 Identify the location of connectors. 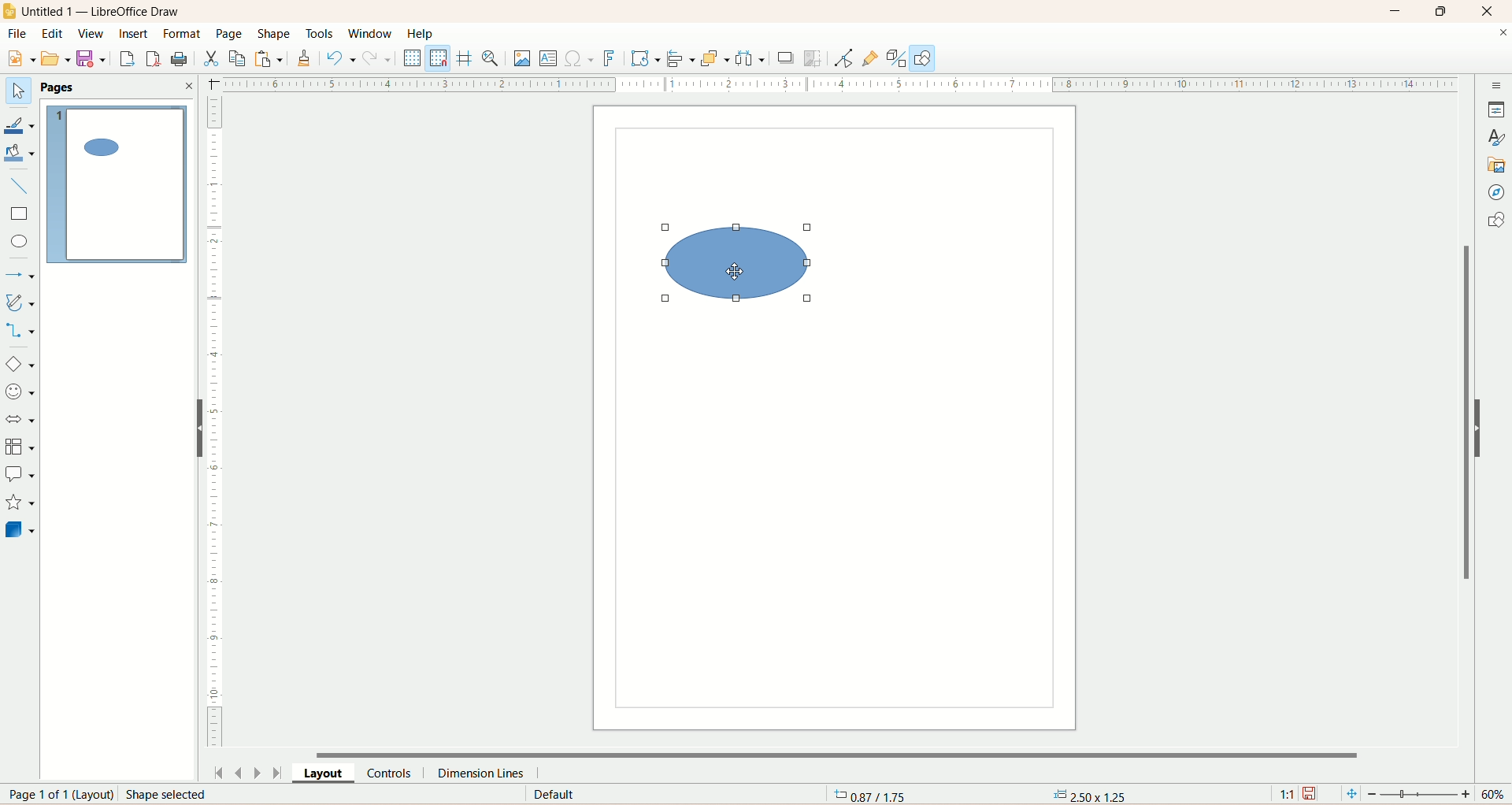
(21, 331).